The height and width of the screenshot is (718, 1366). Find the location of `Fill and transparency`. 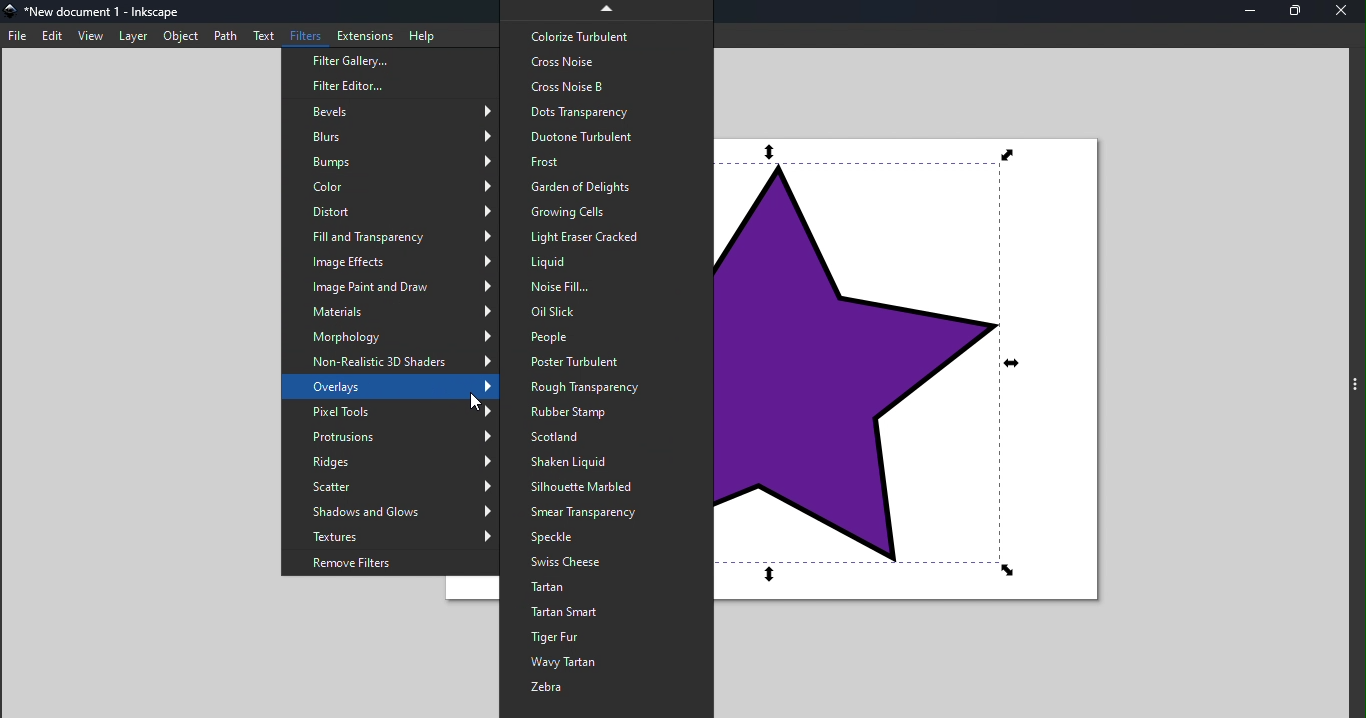

Fill and transparency is located at coordinates (393, 237).